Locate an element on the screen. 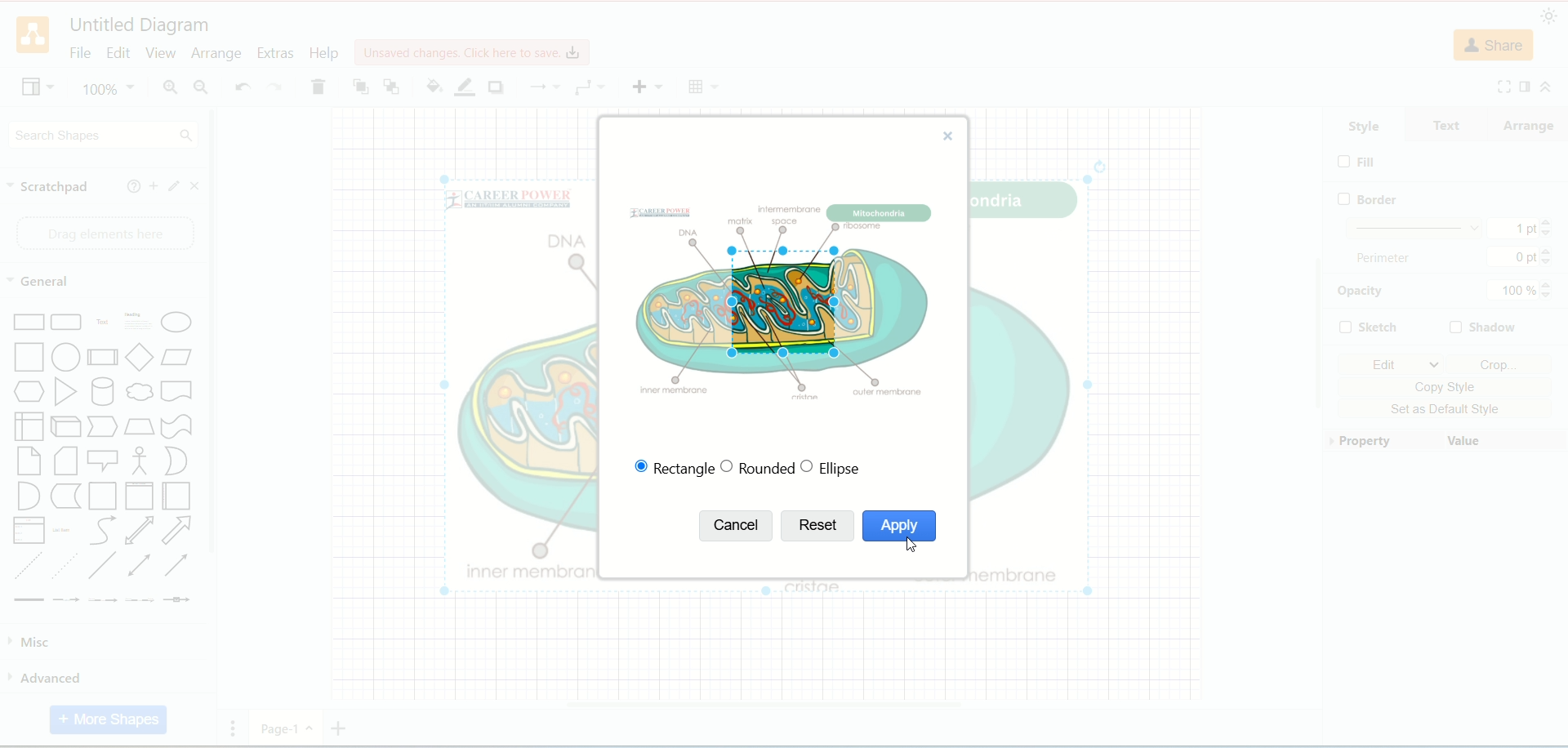 Image resolution: width=1568 pixels, height=748 pixels. Bidirectional Arrow is located at coordinates (140, 532).